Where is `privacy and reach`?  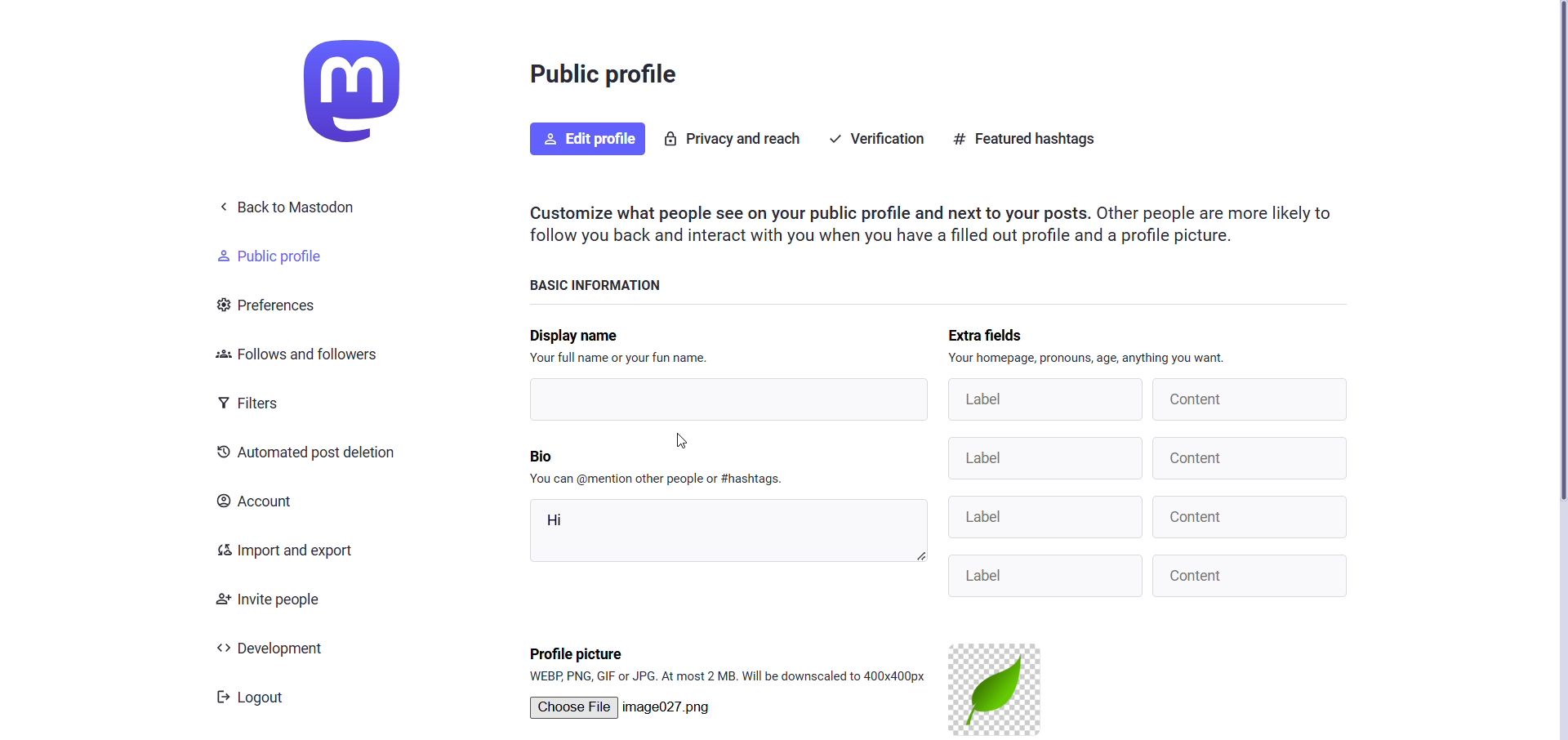 privacy and reach is located at coordinates (729, 140).